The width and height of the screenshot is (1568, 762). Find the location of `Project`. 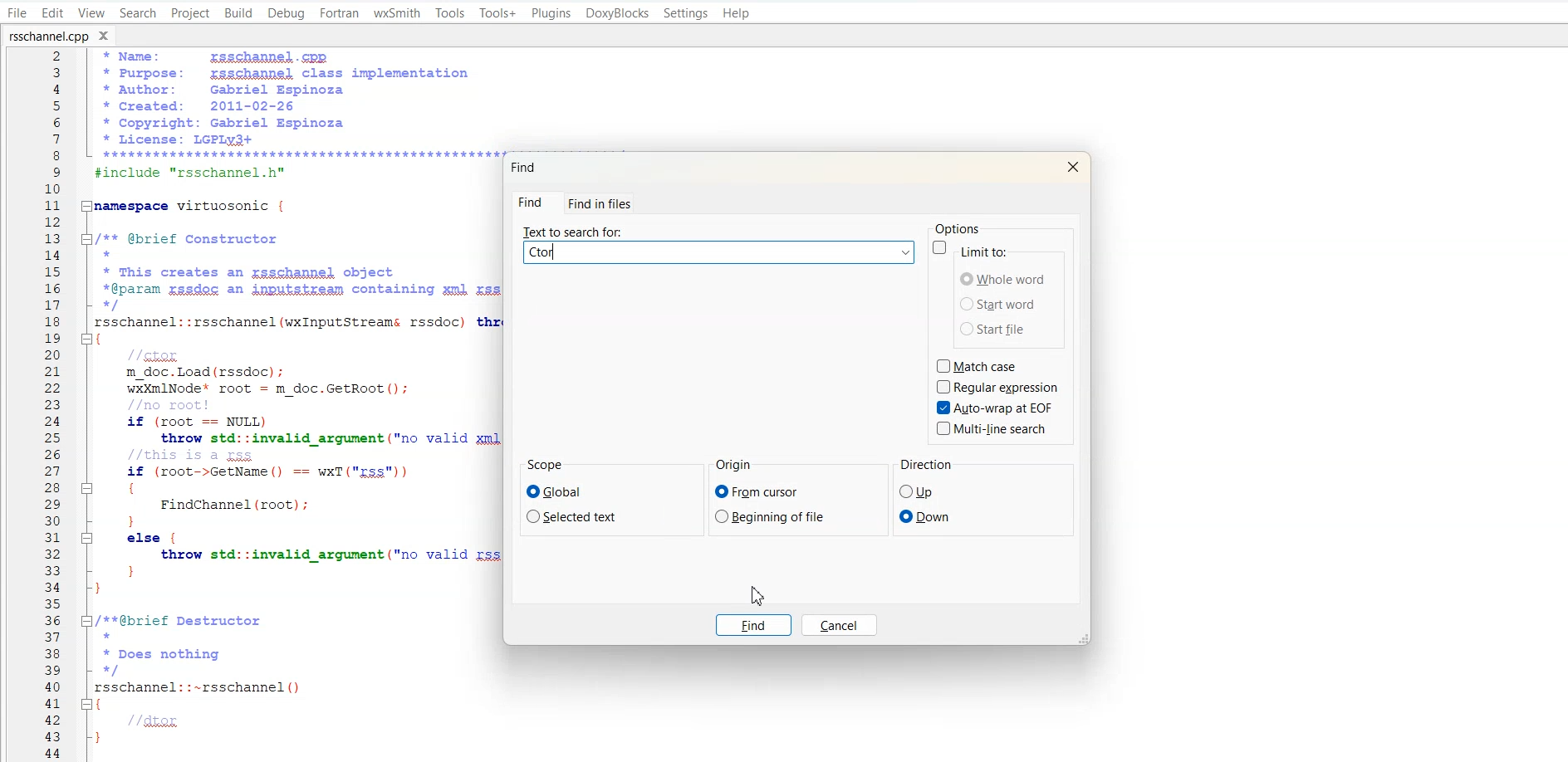

Project is located at coordinates (189, 13).